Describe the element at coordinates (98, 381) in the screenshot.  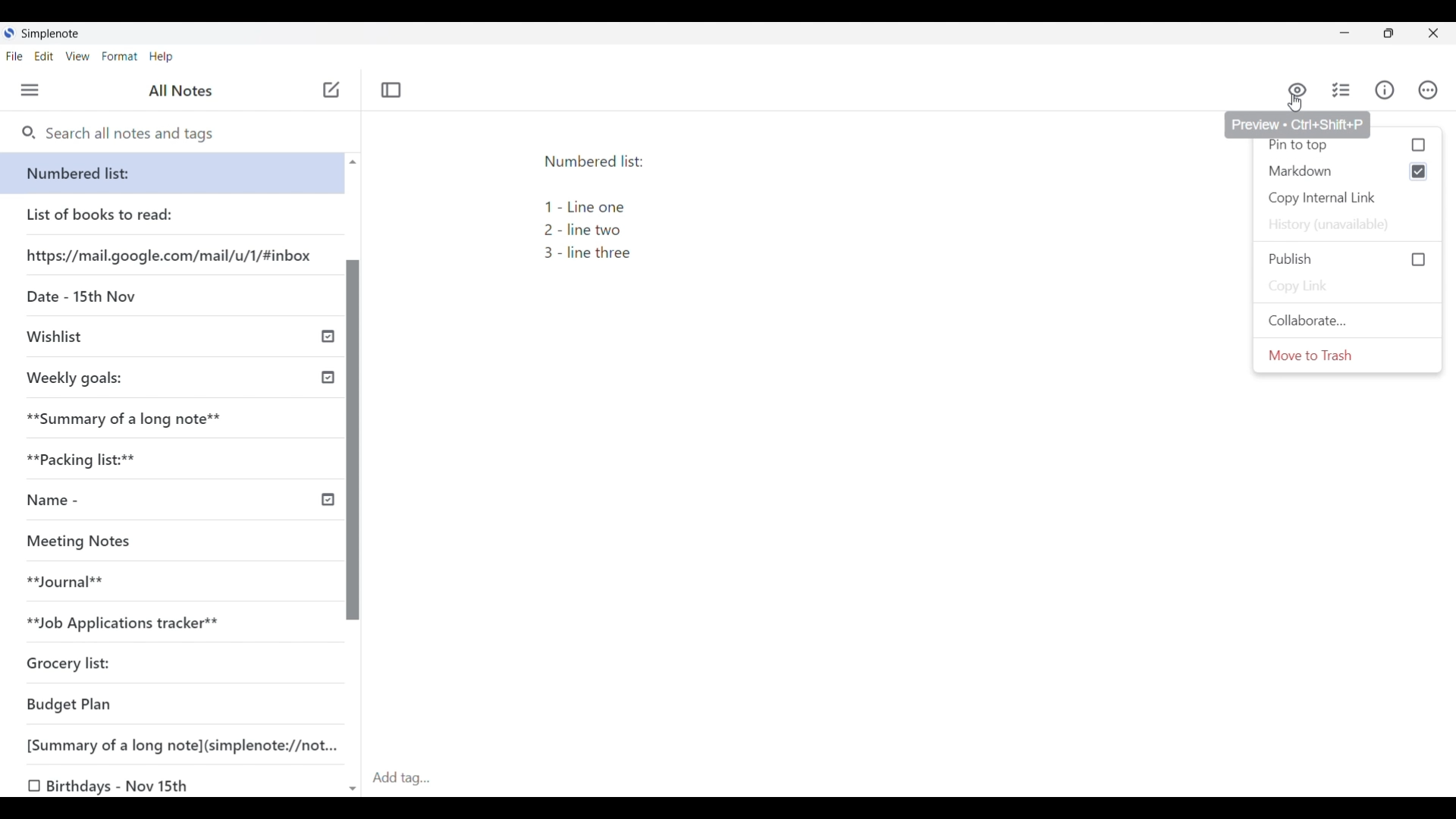
I see `Weekly goals:` at that location.